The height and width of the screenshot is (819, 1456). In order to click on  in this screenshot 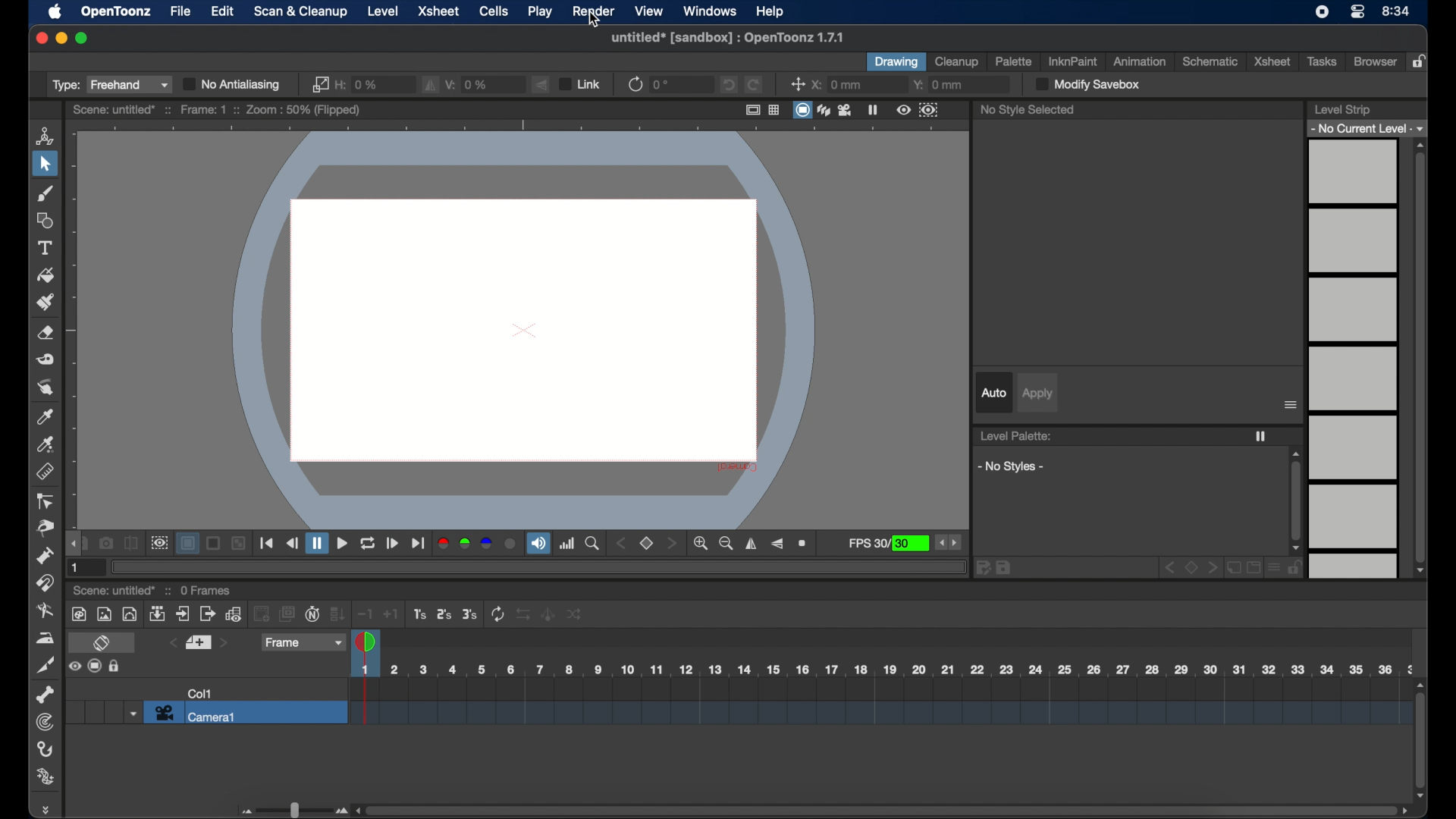, I will do `click(444, 611)`.